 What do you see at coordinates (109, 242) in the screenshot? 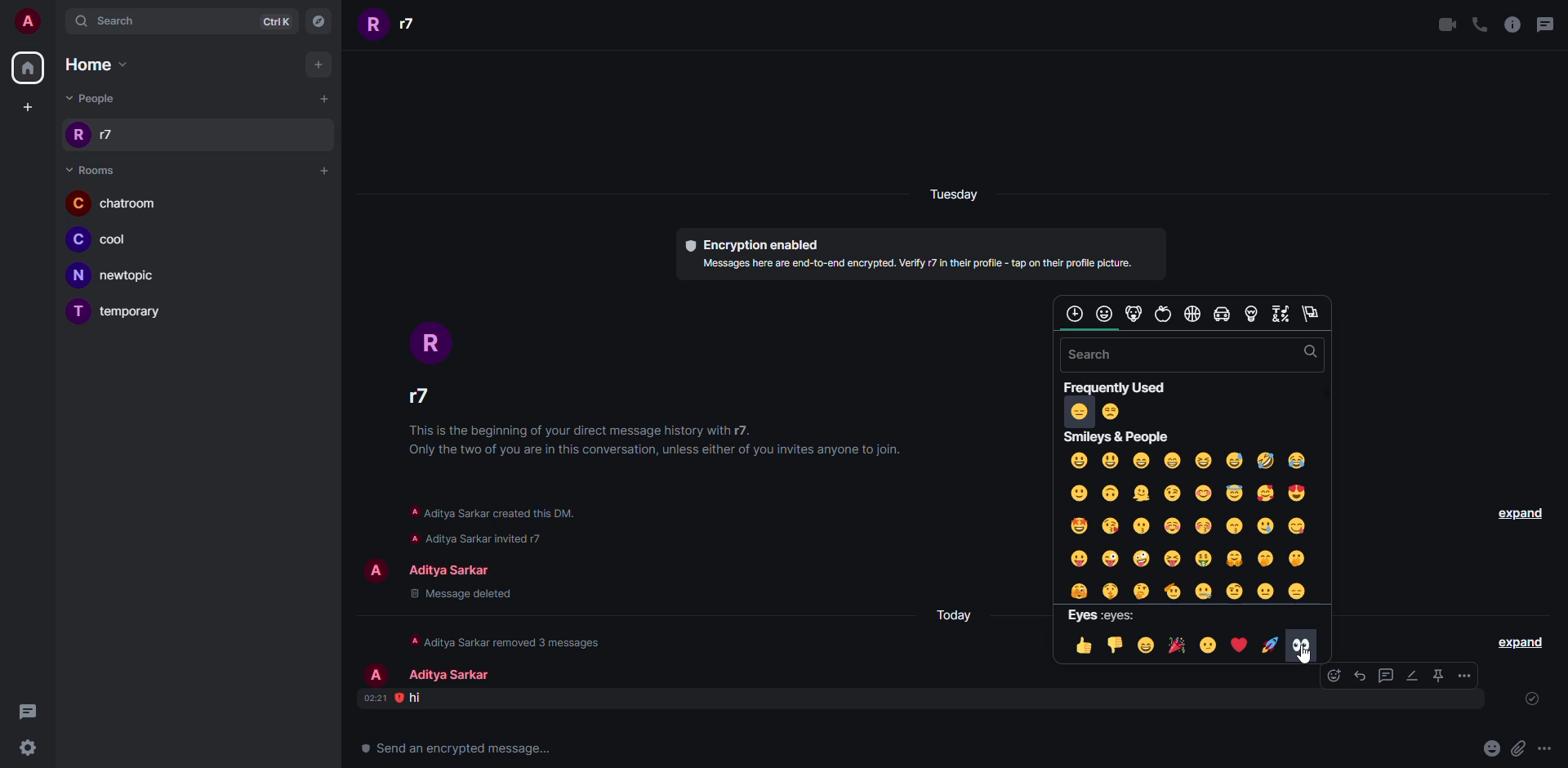
I see `room` at bounding box center [109, 242].